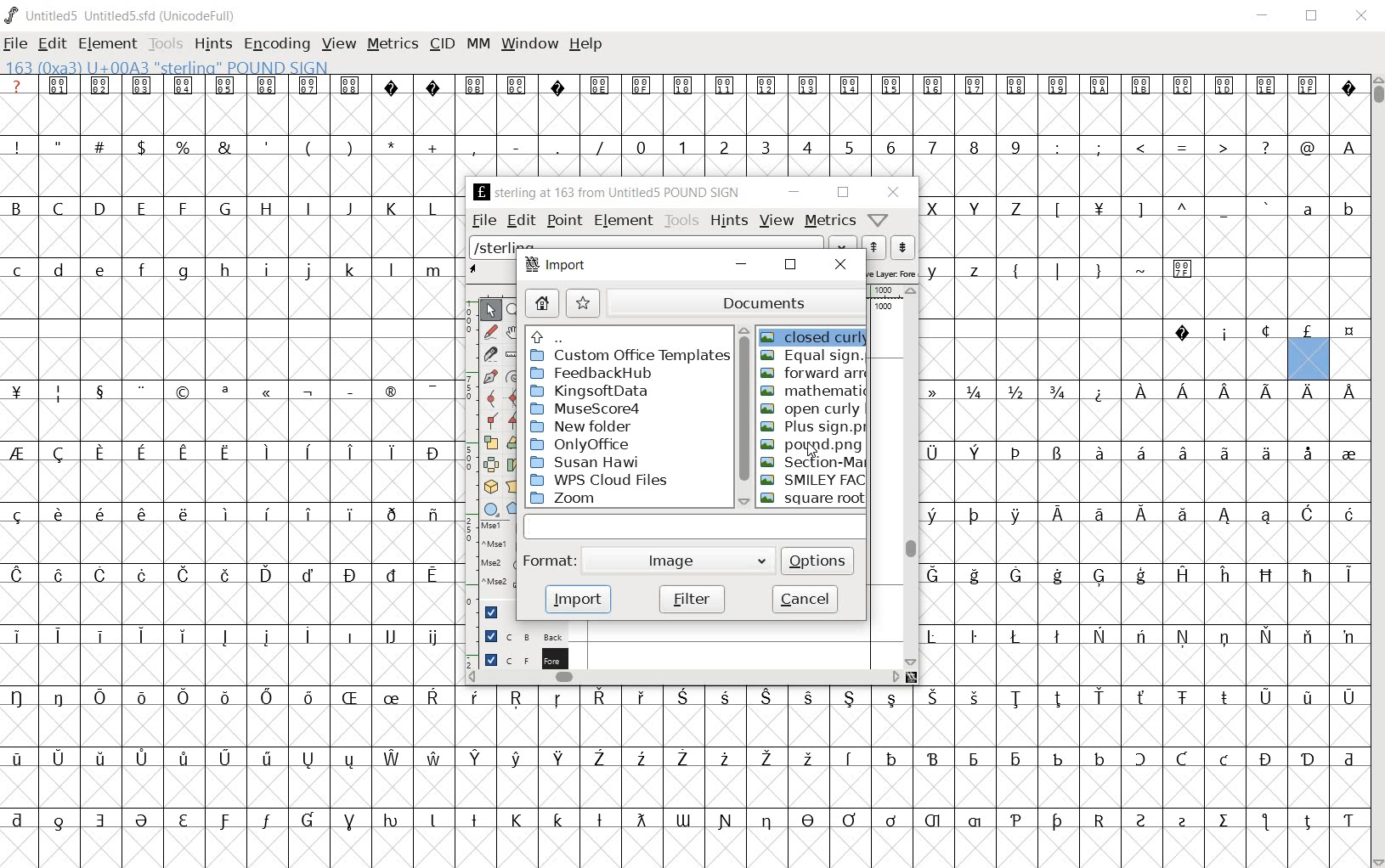 The width and height of the screenshot is (1385, 868). Describe the element at coordinates (432, 757) in the screenshot. I see `Symbol` at that location.